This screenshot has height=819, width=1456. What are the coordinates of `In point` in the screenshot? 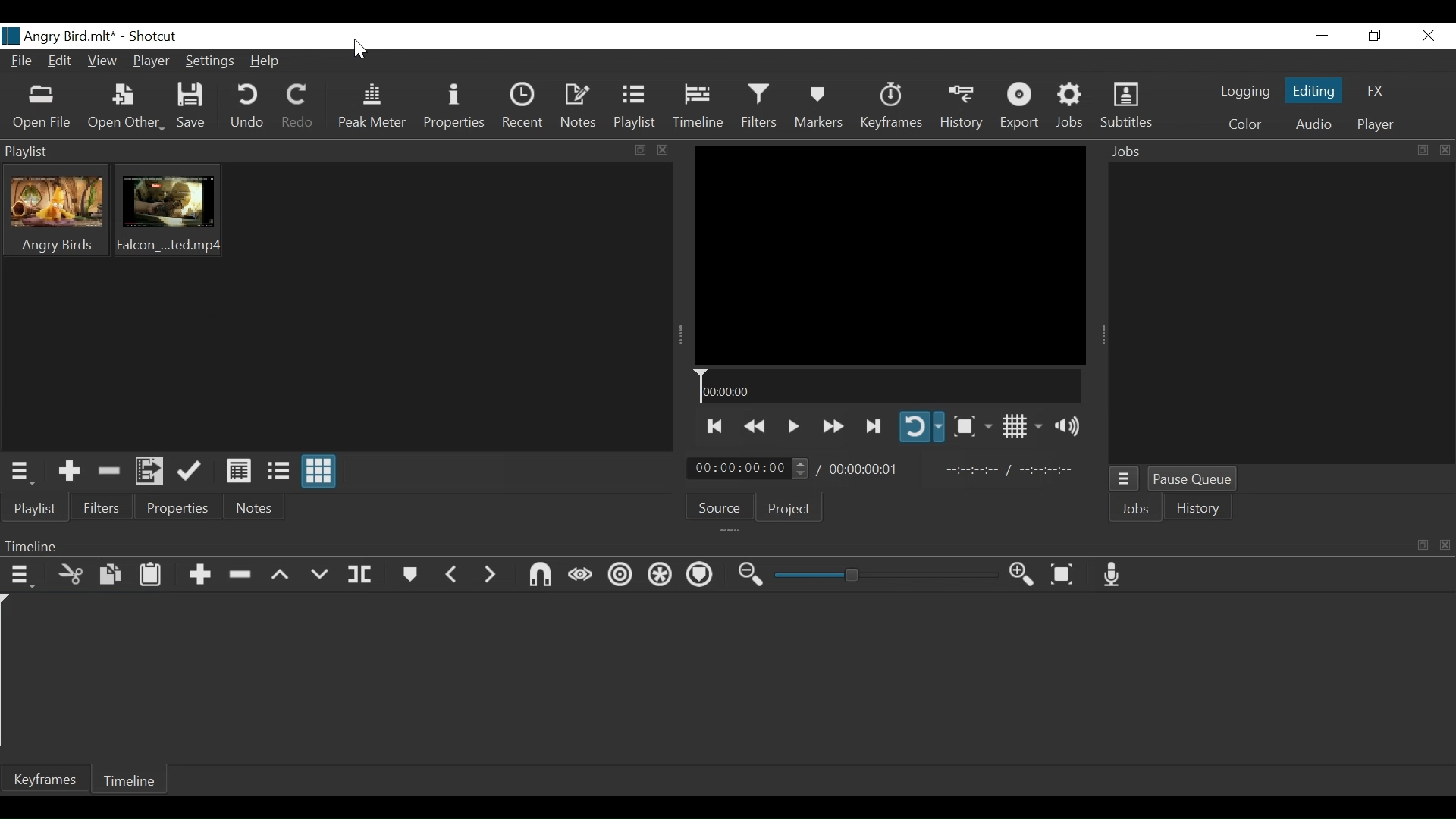 It's located at (1012, 469).